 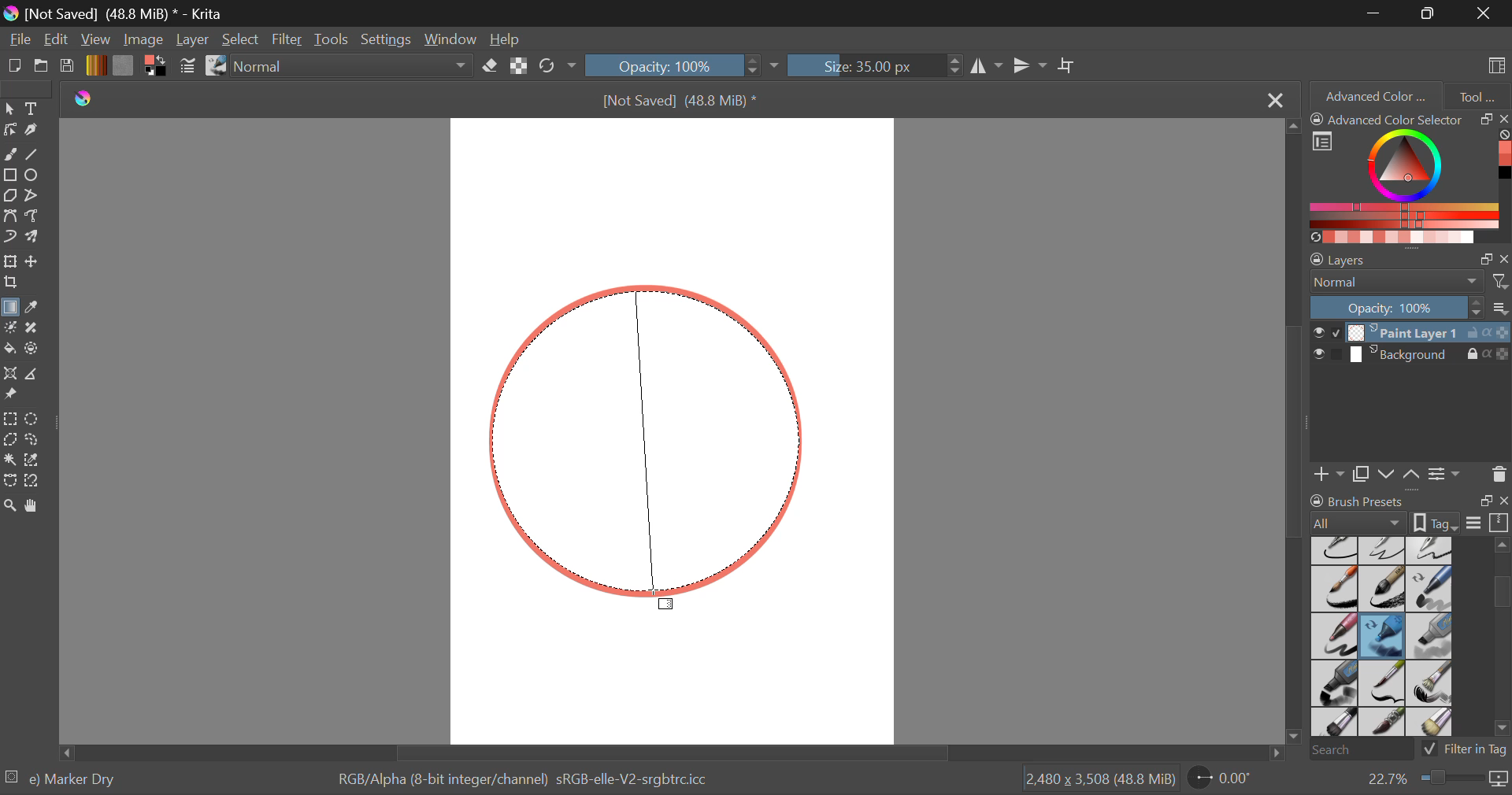 What do you see at coordinates (15, 68) in the screenshot?
I see `New` at bounding box center [15, 68].